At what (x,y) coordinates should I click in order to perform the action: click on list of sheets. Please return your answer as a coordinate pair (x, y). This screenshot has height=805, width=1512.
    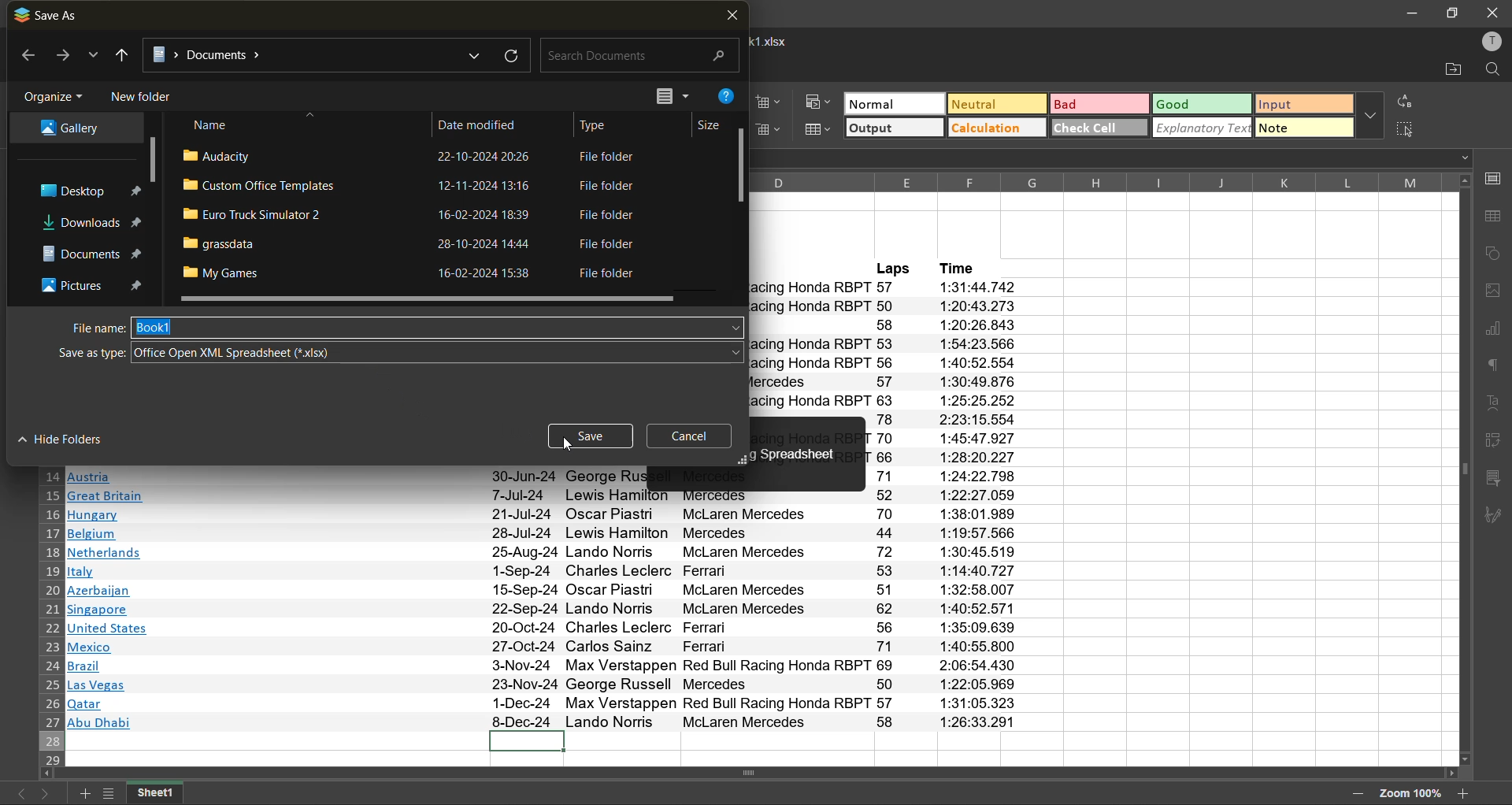
    Looking at the image, I should click on (110, 794).